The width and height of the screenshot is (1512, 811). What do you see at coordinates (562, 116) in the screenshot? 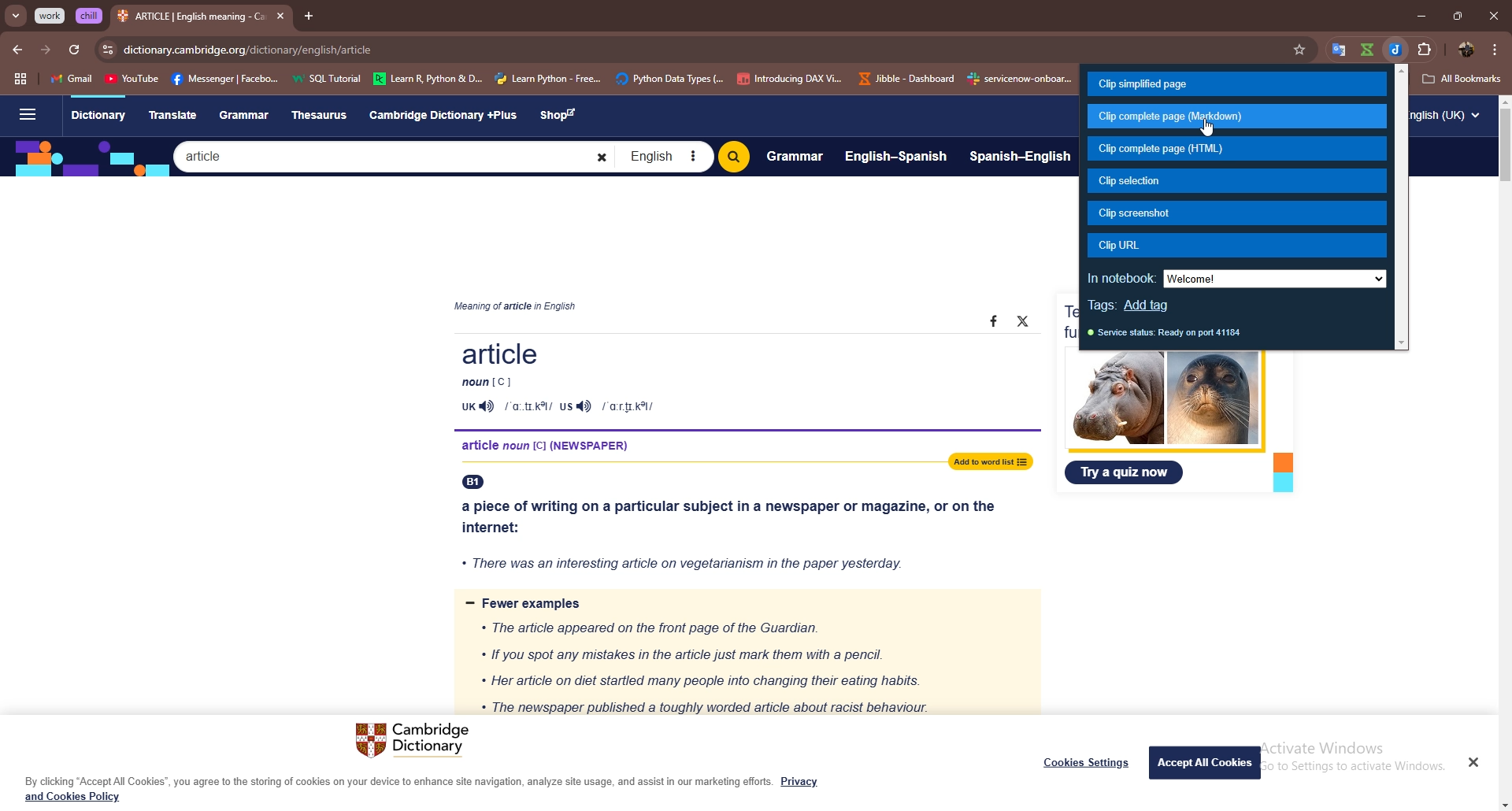
I see `Shop` at bounding box center [562, 116].